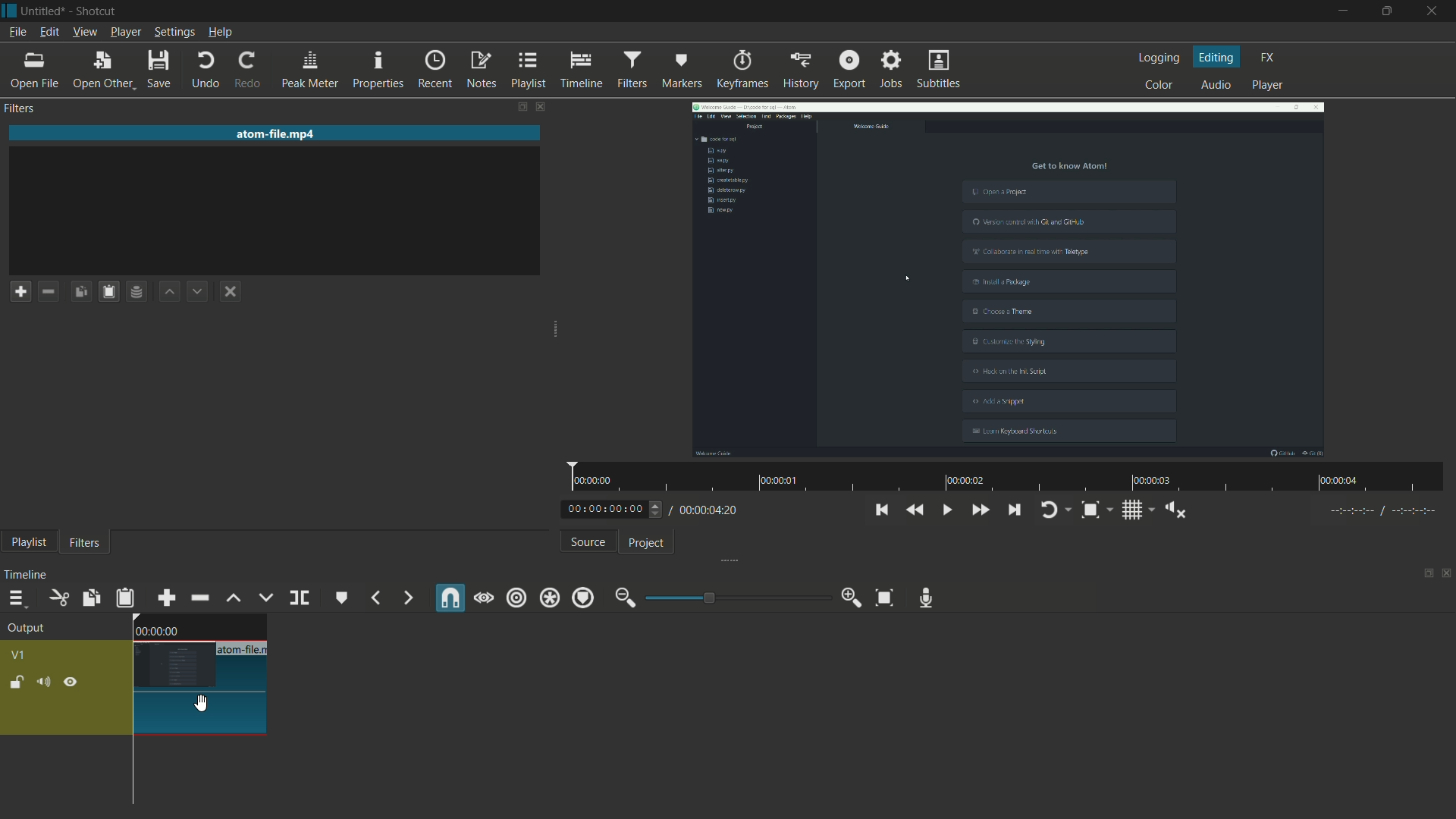 This screenshot has height=819, width=1456. What do you see at coordinates (33, 71) in the screenshot?
I see `open file` at bounding box center [33, 71].